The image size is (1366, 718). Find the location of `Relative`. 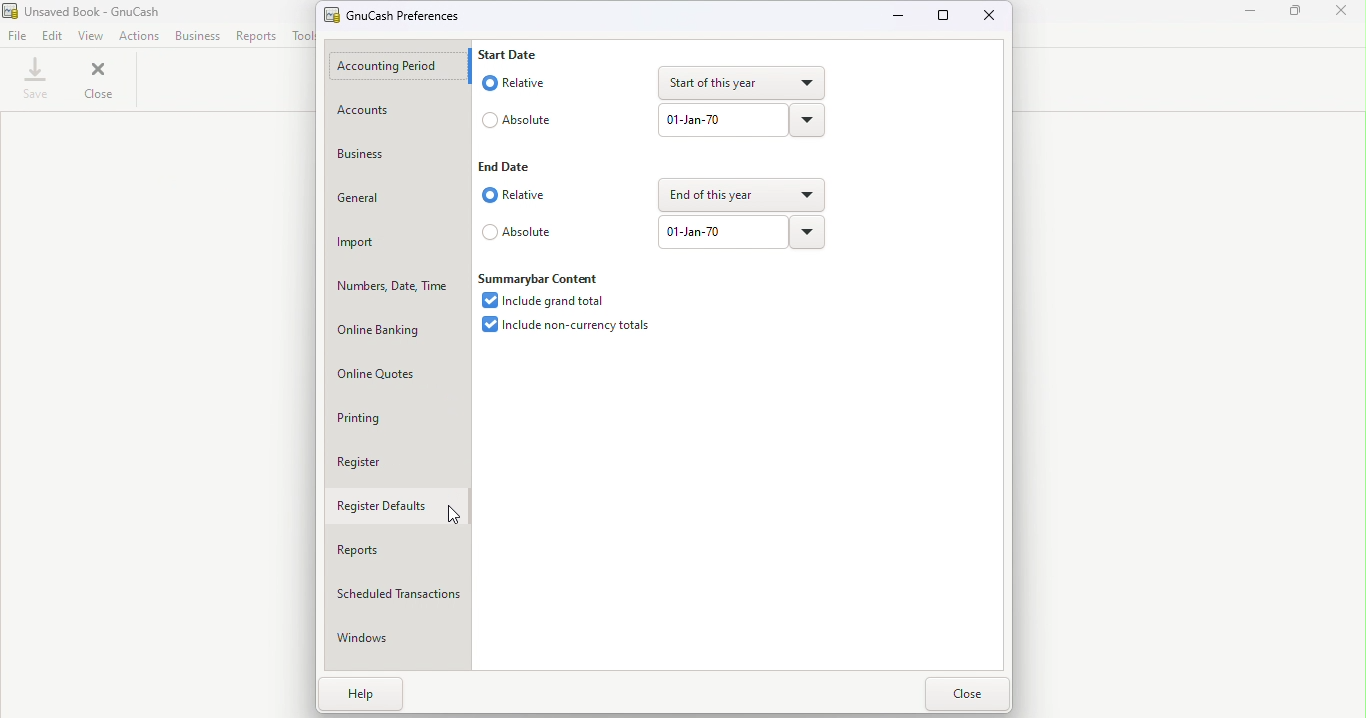

Relative is located at coordinates (524, 84).